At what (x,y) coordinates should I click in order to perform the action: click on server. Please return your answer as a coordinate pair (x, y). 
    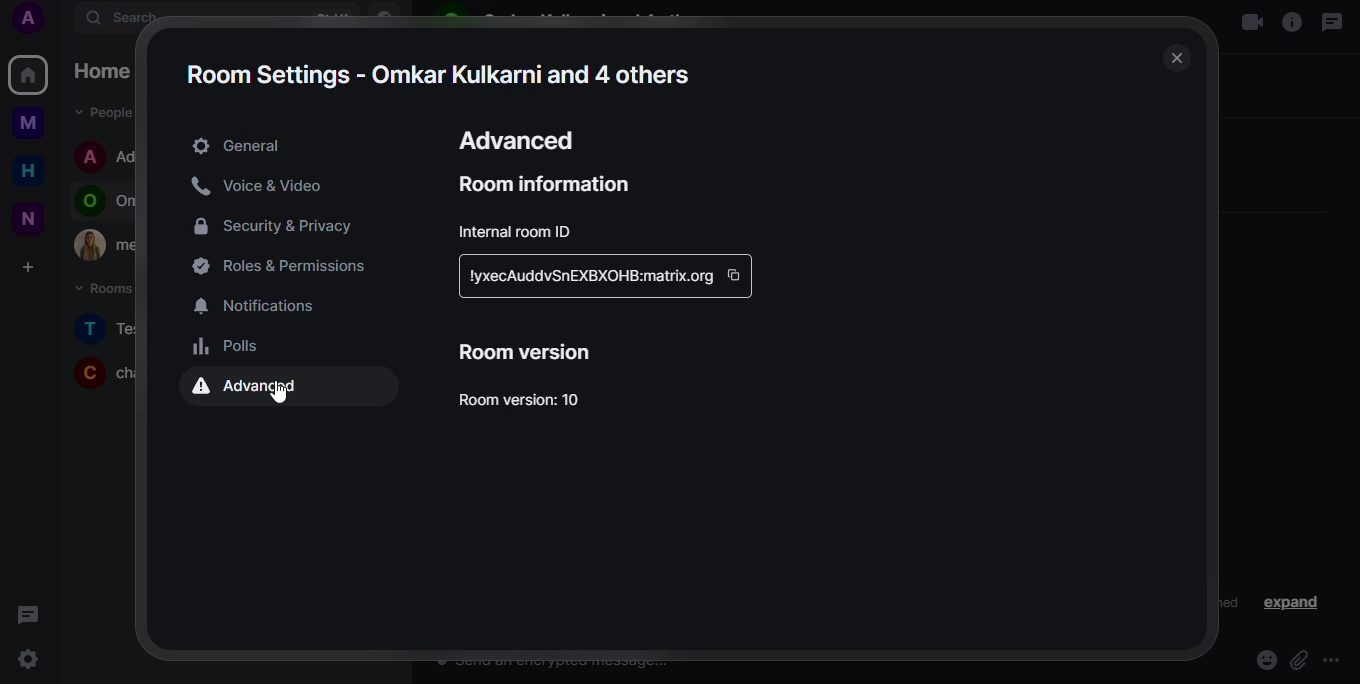
    Looking at the image, I should click on (589, 278).